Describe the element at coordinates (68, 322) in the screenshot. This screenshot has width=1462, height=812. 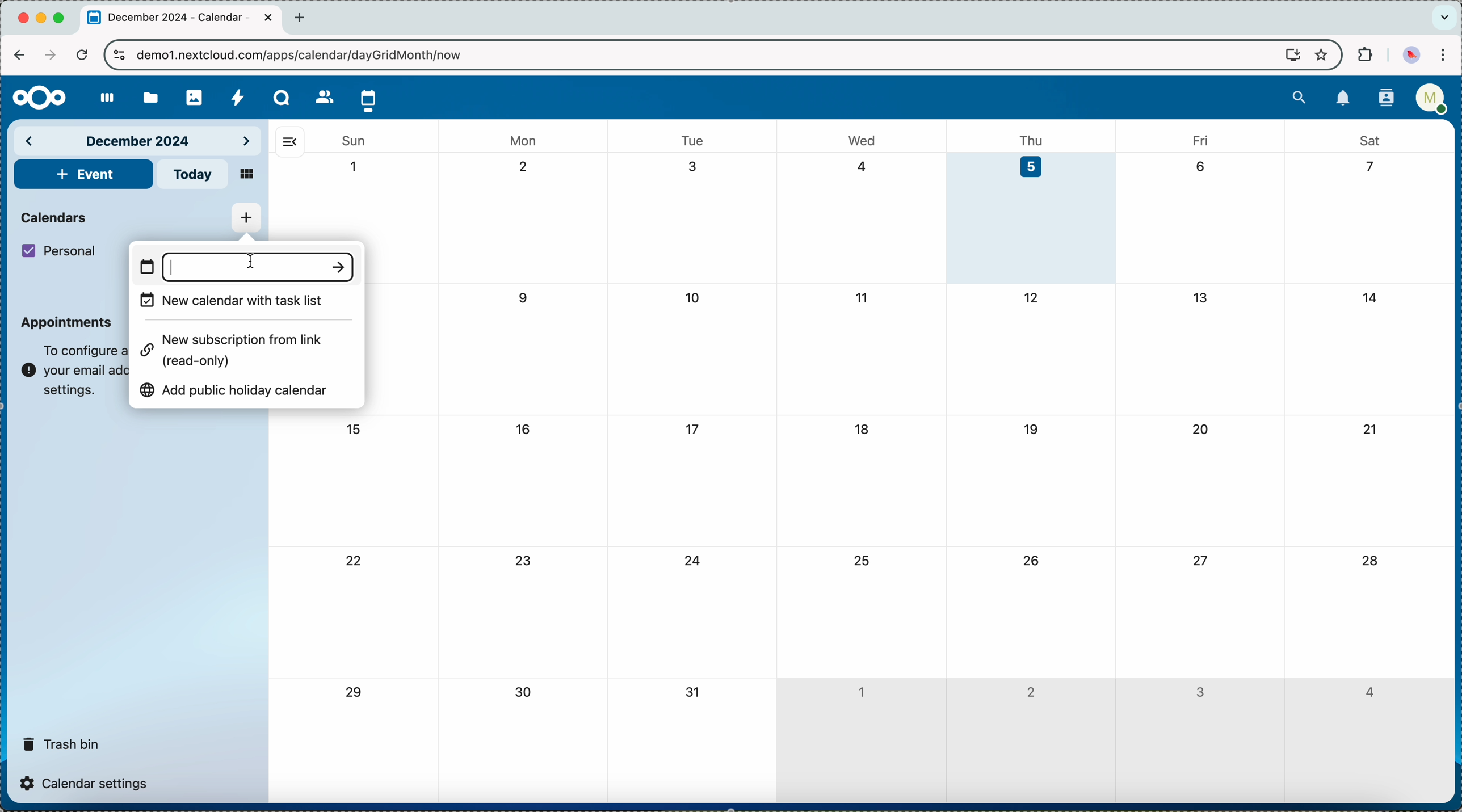
I see `appointments` at that location.